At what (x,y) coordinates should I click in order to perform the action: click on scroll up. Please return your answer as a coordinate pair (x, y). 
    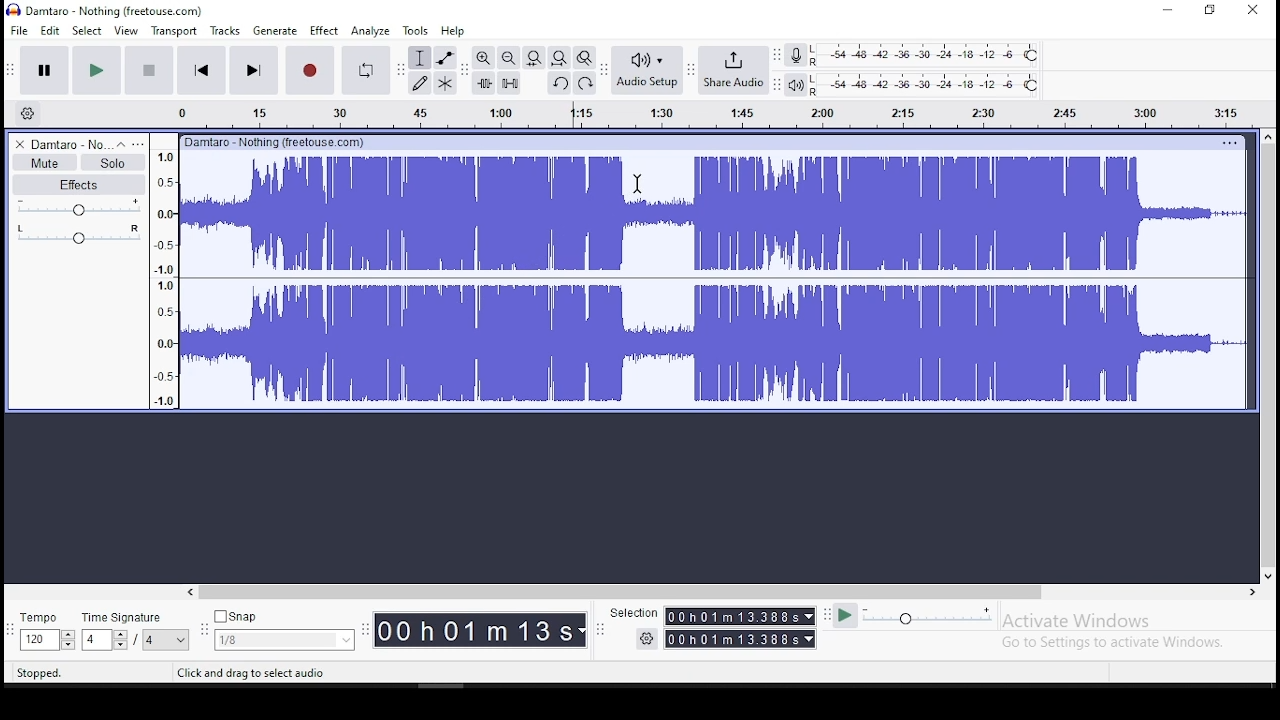
    Looking at the image, I should click on (1269, 137).